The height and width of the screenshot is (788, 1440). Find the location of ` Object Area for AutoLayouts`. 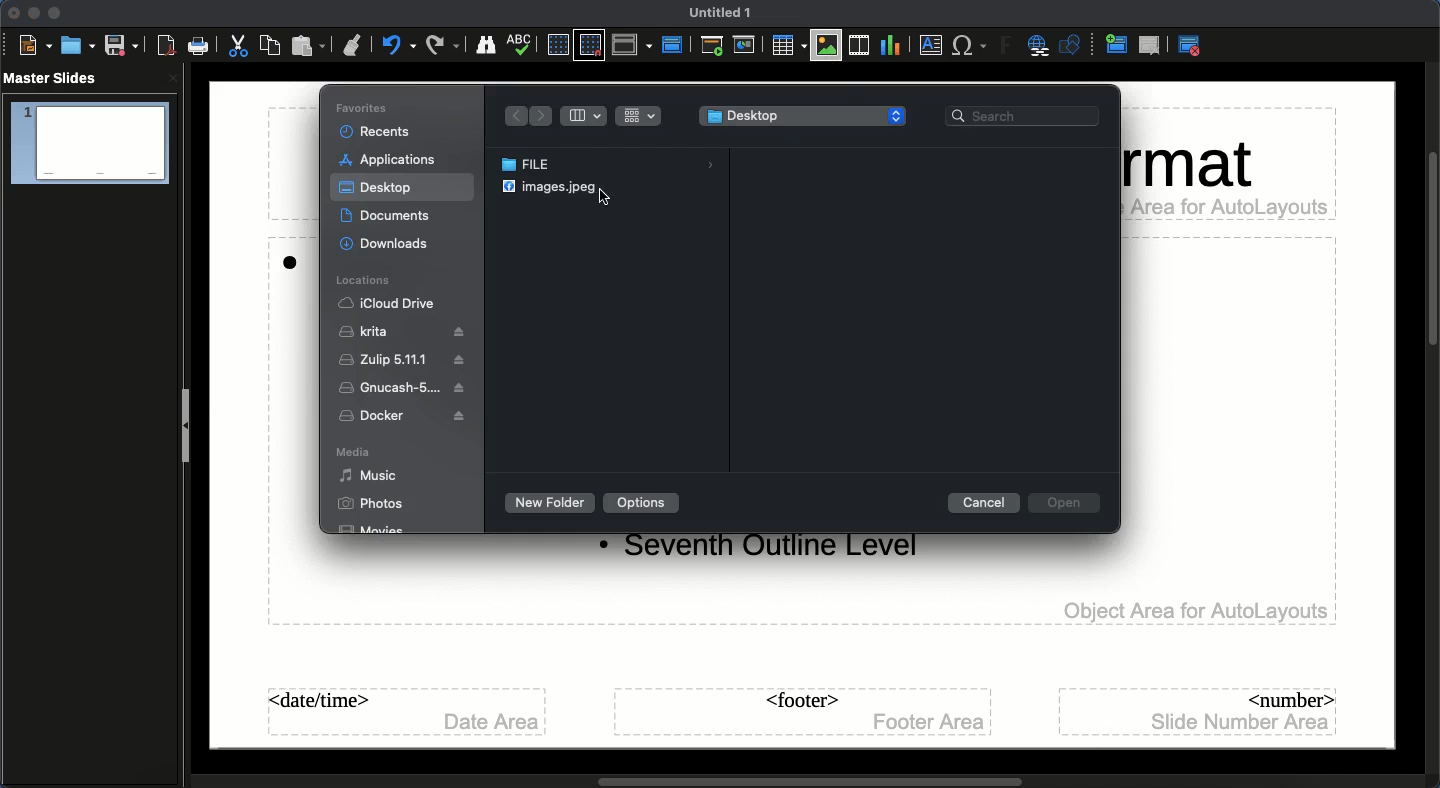

 Object Area for AutoLayouts is located at coordinates (1196, 612).